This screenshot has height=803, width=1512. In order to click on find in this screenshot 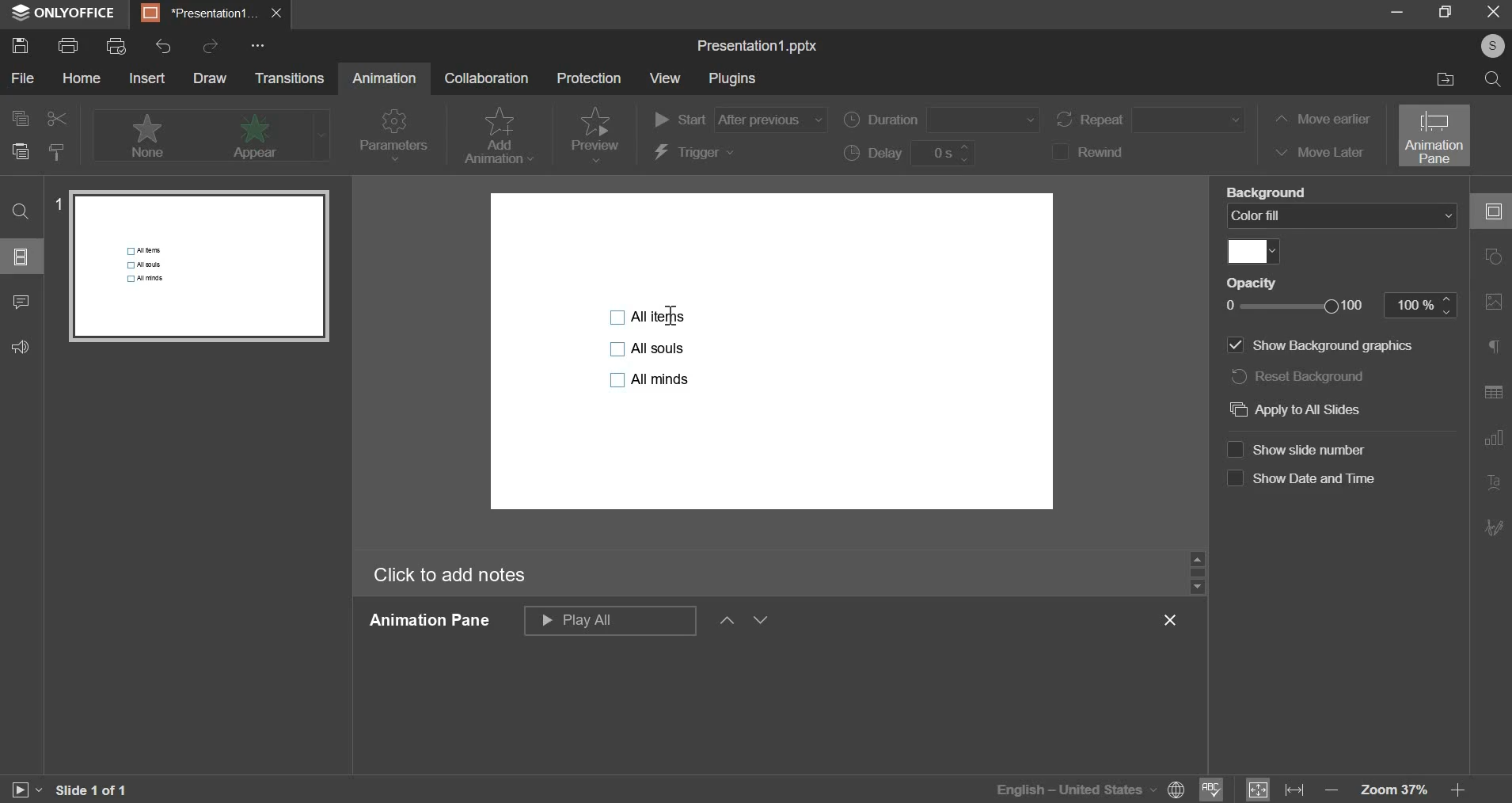, I will do `click(21, 211)`.